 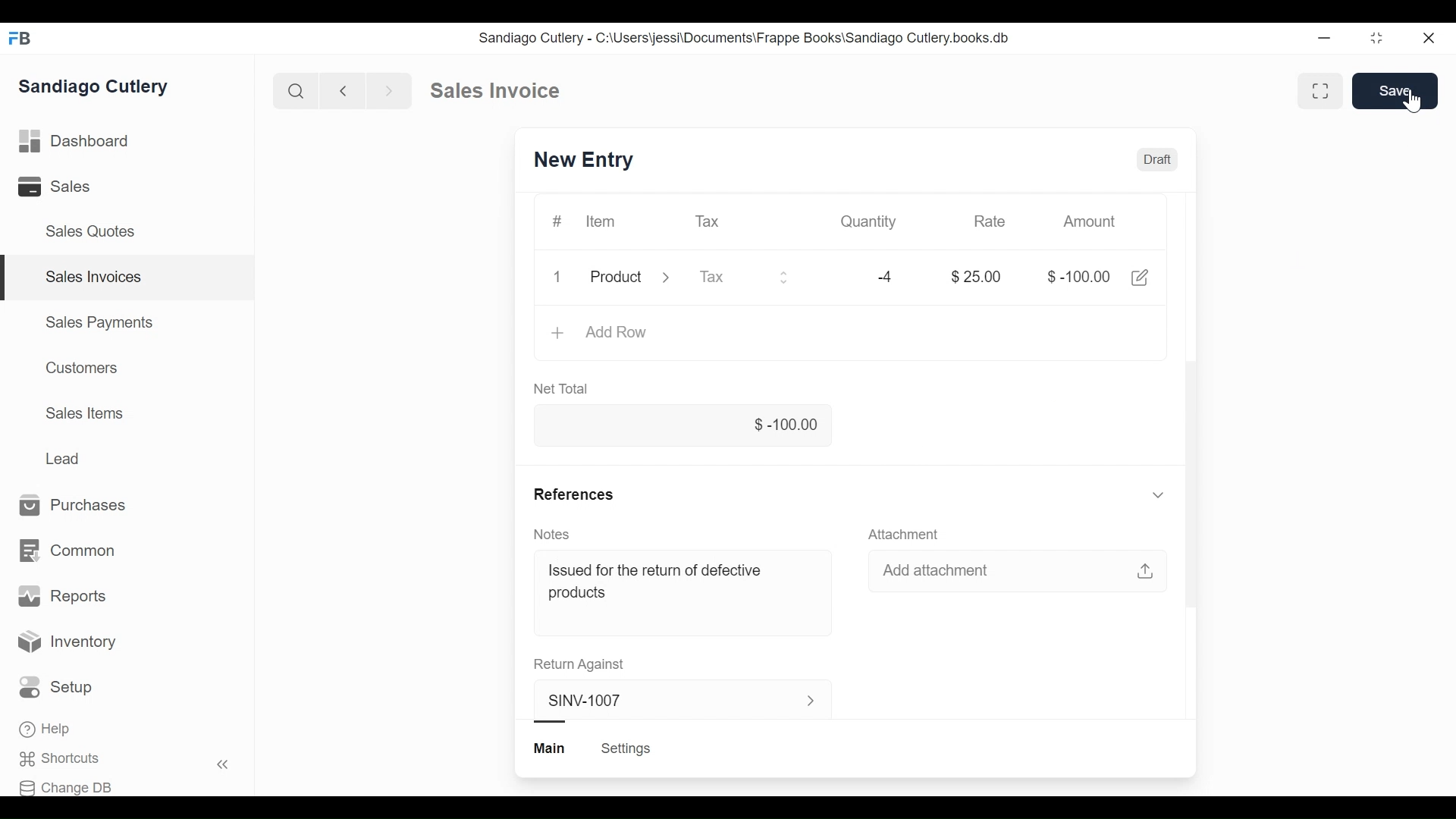 I want to click on Close, so click(x=1432, y=39).